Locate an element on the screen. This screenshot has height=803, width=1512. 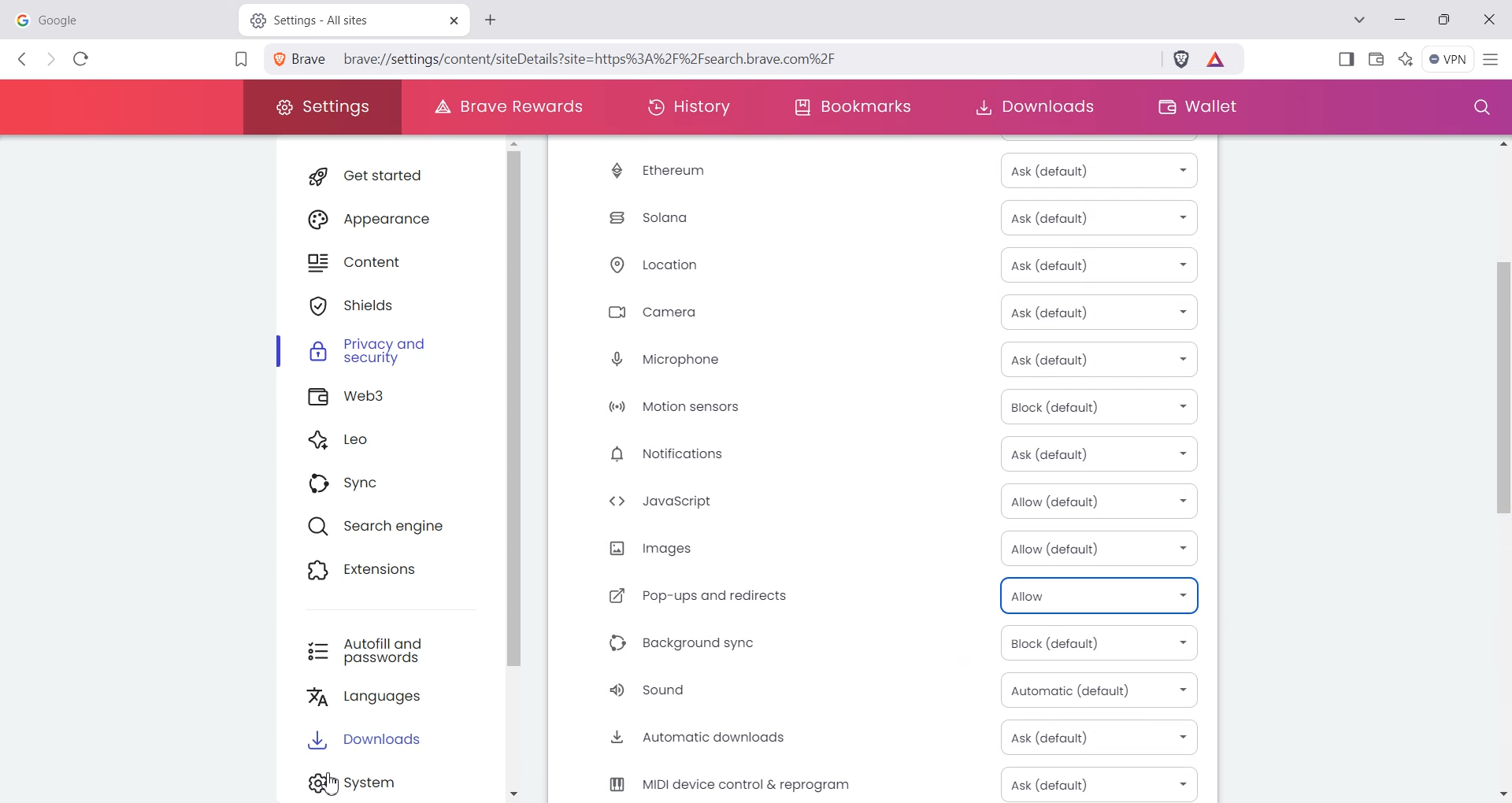
Search window is located at coordinates (1478, 108).